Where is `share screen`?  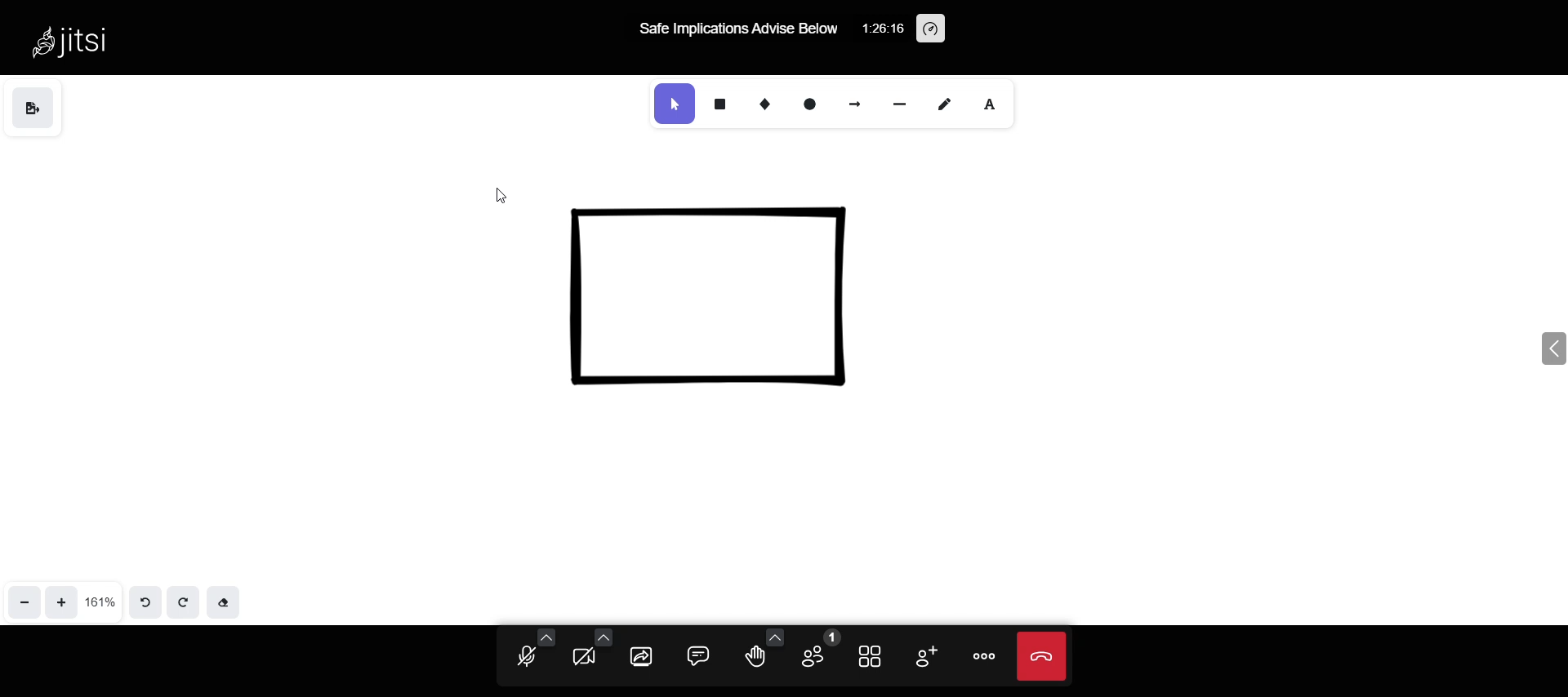
share screen is located at coordinates (637, 657).